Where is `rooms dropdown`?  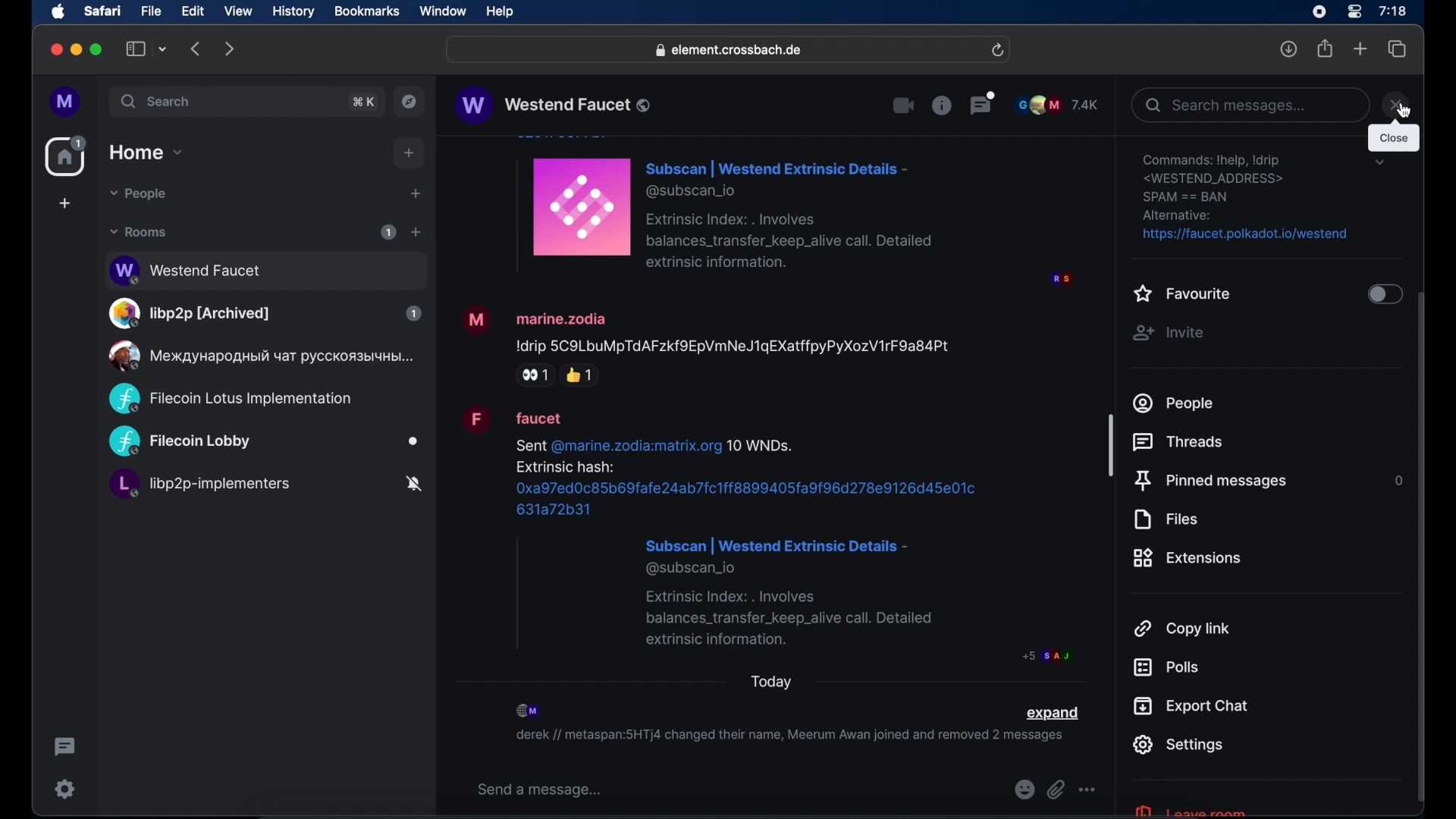
rooms dropdown is located at coordinates (139, 232).